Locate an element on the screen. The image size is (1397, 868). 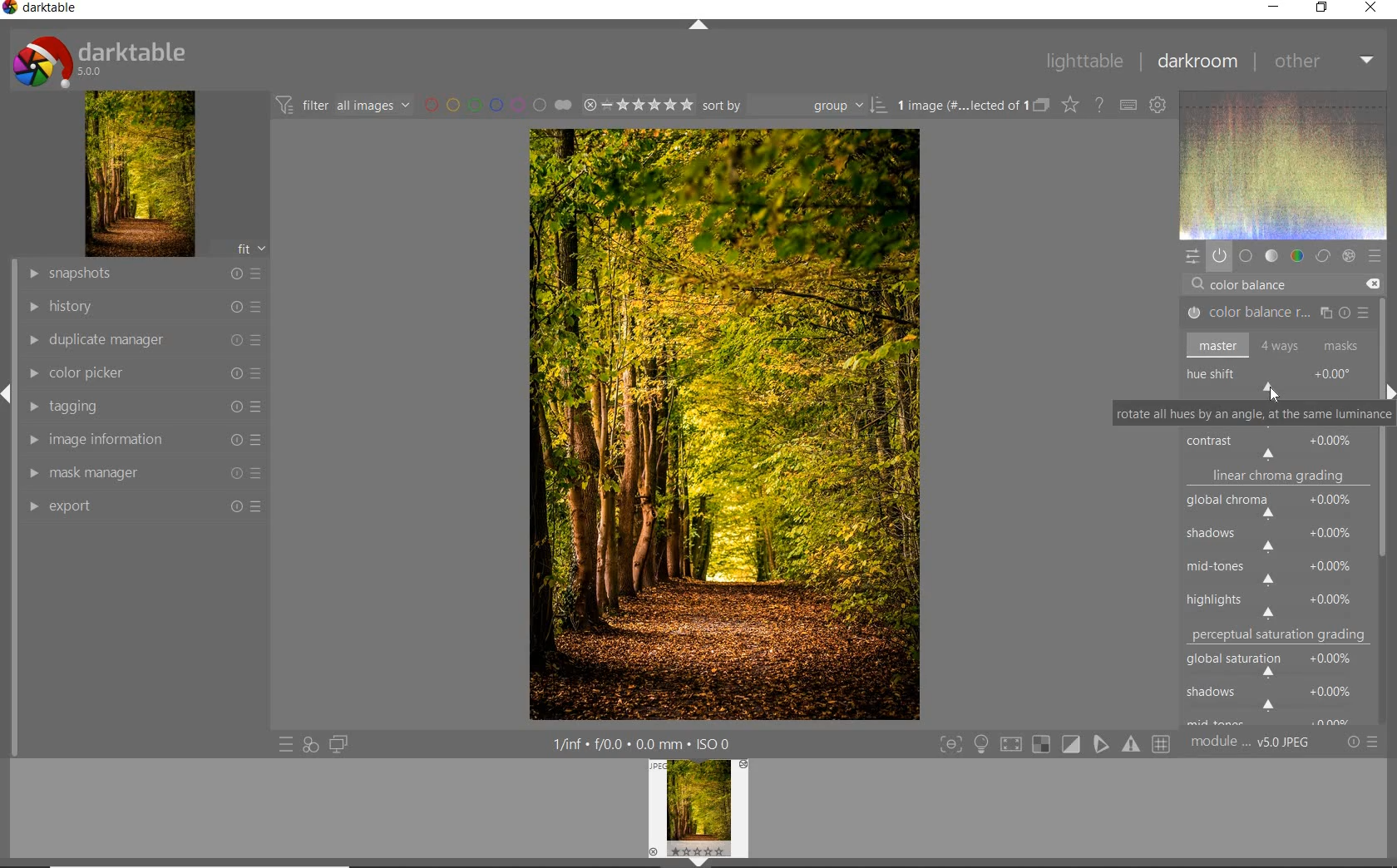
duplicate manager is located at coordinates (146, 340).